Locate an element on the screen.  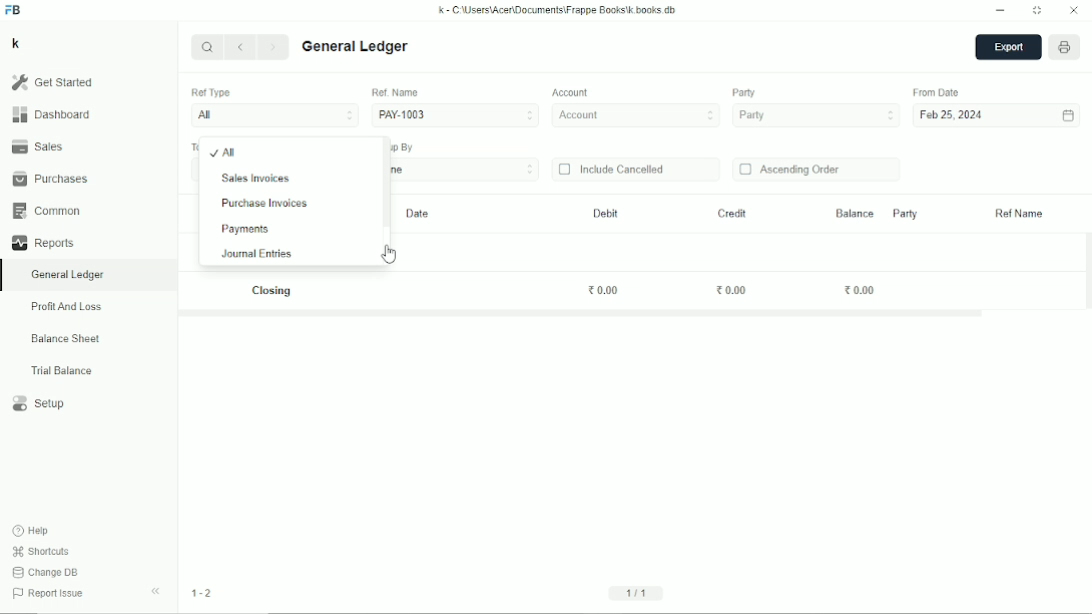
Trial balance is located at coordinates (62, 371).